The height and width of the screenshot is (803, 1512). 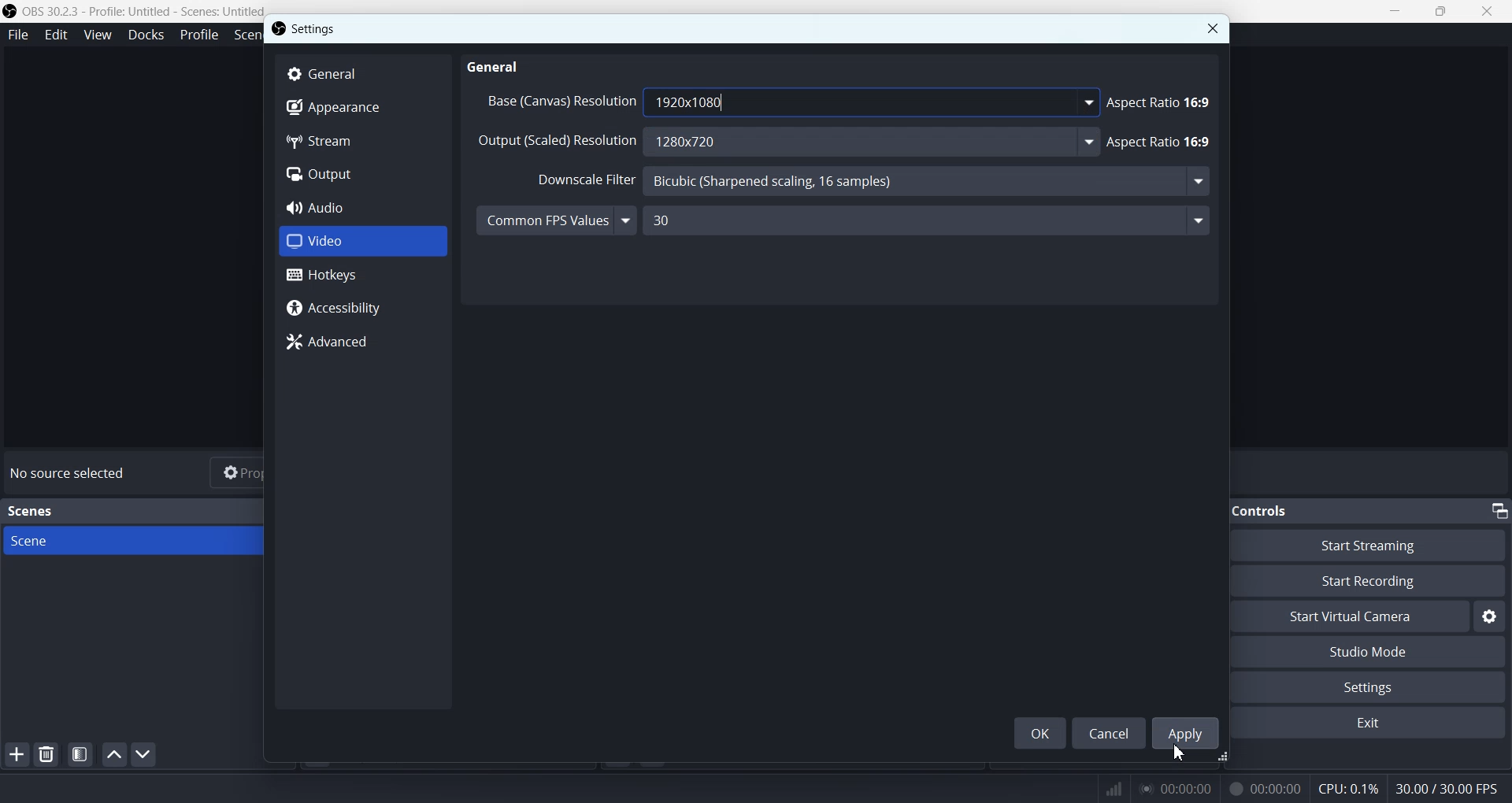 What do you see at coordinates (1179, 752) in the screenshot?
I see `Cursor` at bounding box center [1179, 752].